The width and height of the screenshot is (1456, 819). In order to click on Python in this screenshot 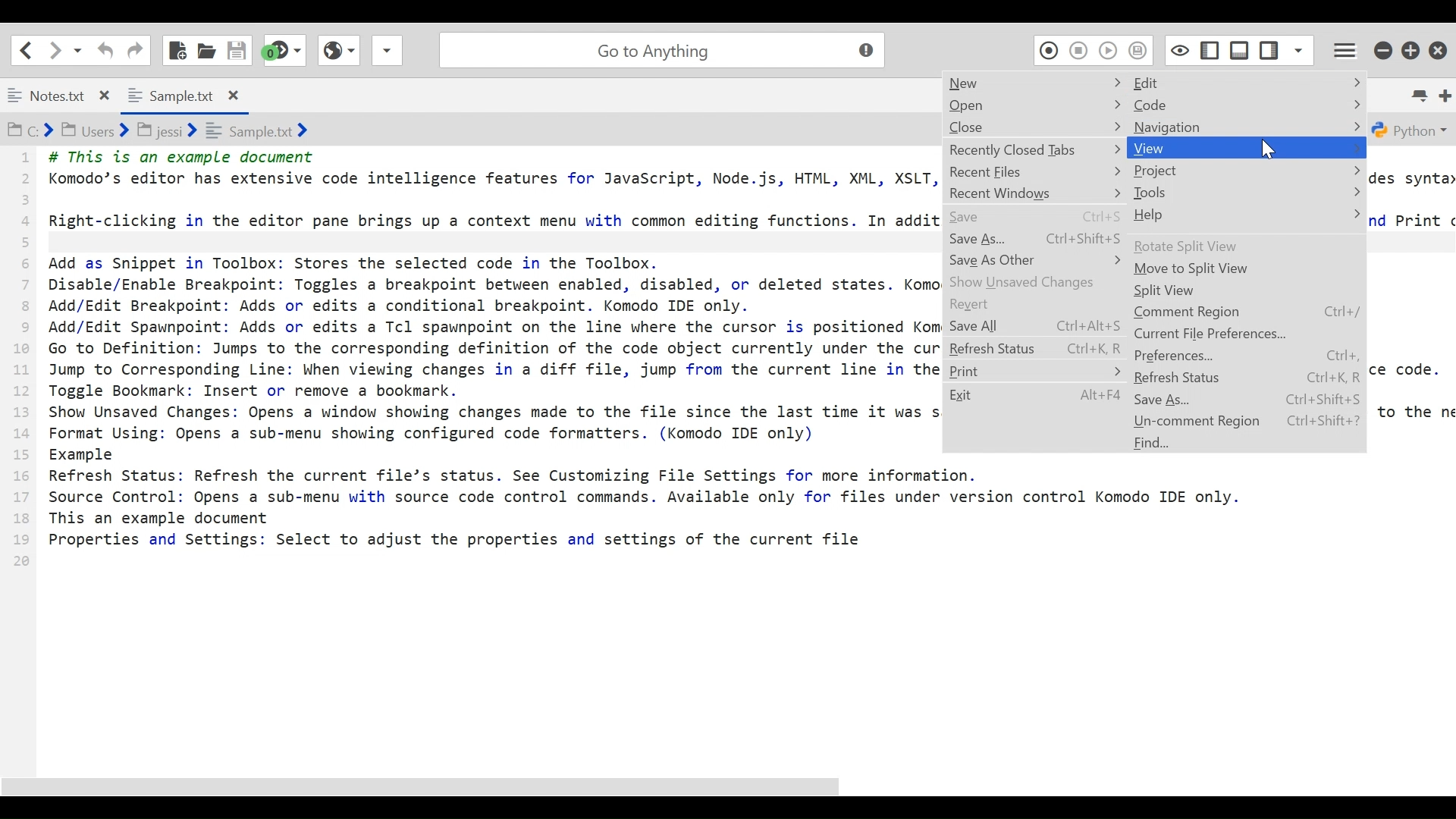, I will do `click(1411, 130)`.